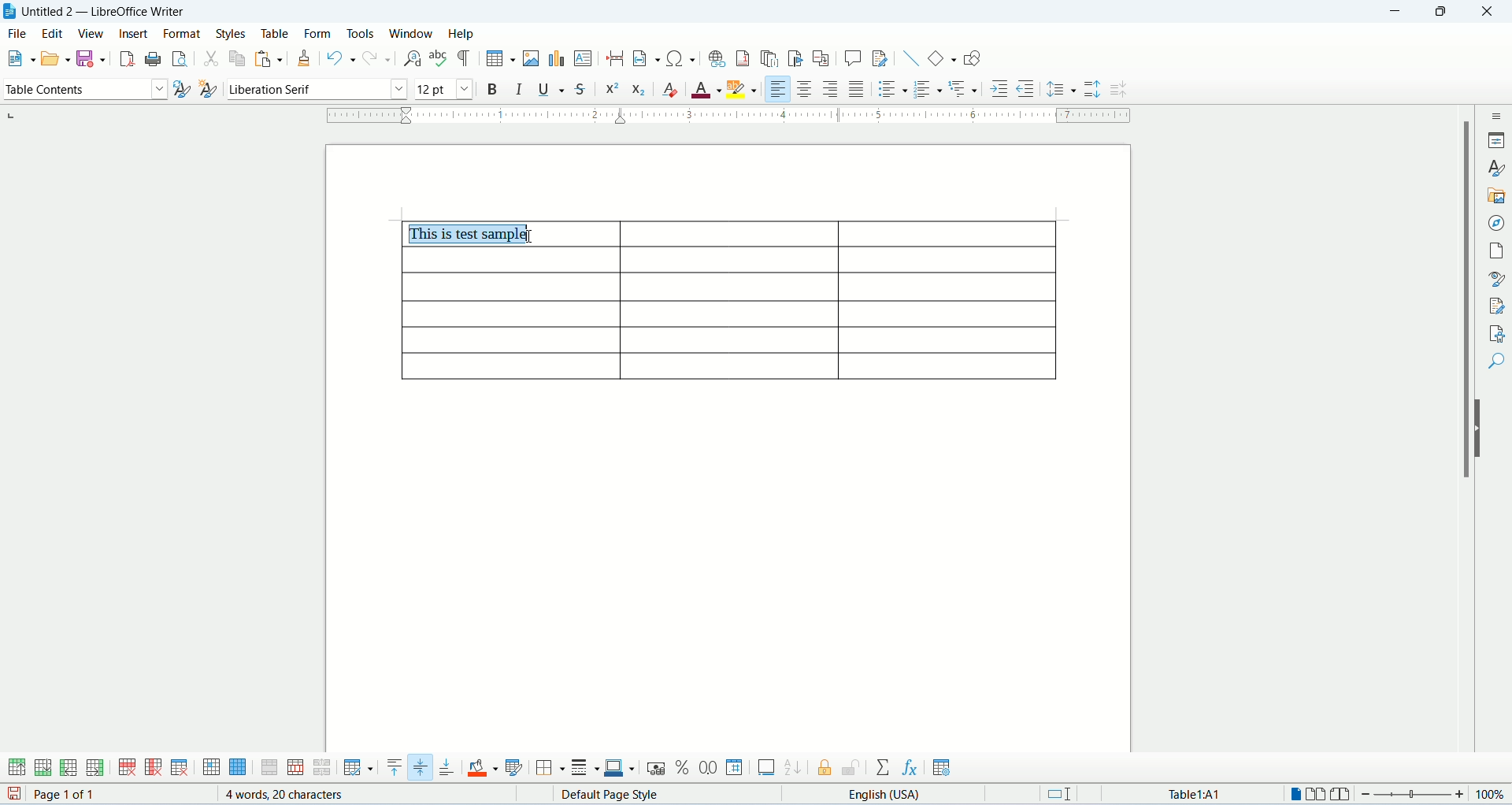 This screenshot has height=805, width=1512. Describe the element at coordinates (68, 769) in the screenshot. I see `insert columns before` at that location.